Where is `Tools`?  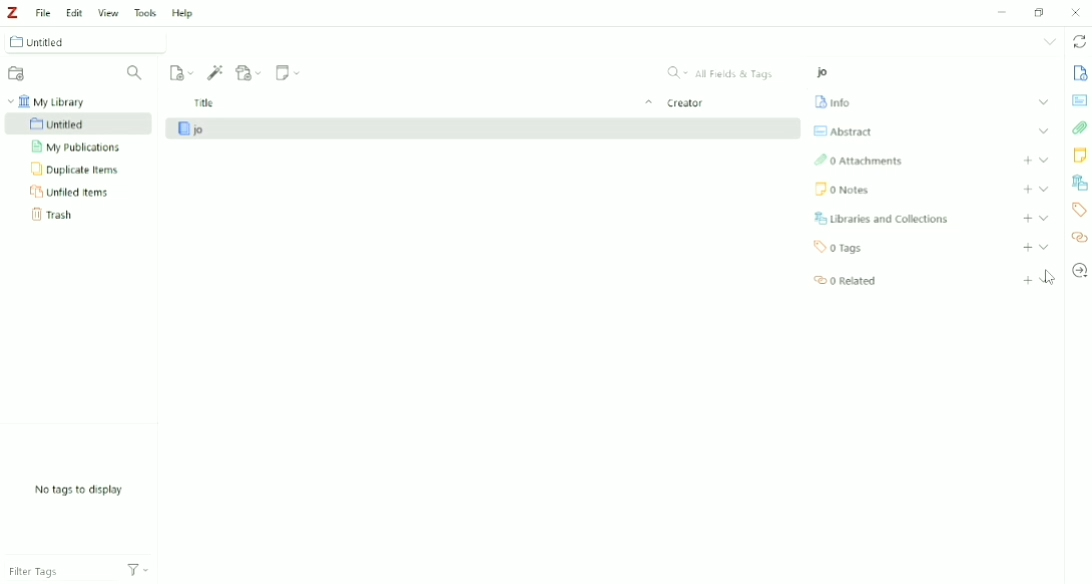 Tools is located at coordinates (146, 11).